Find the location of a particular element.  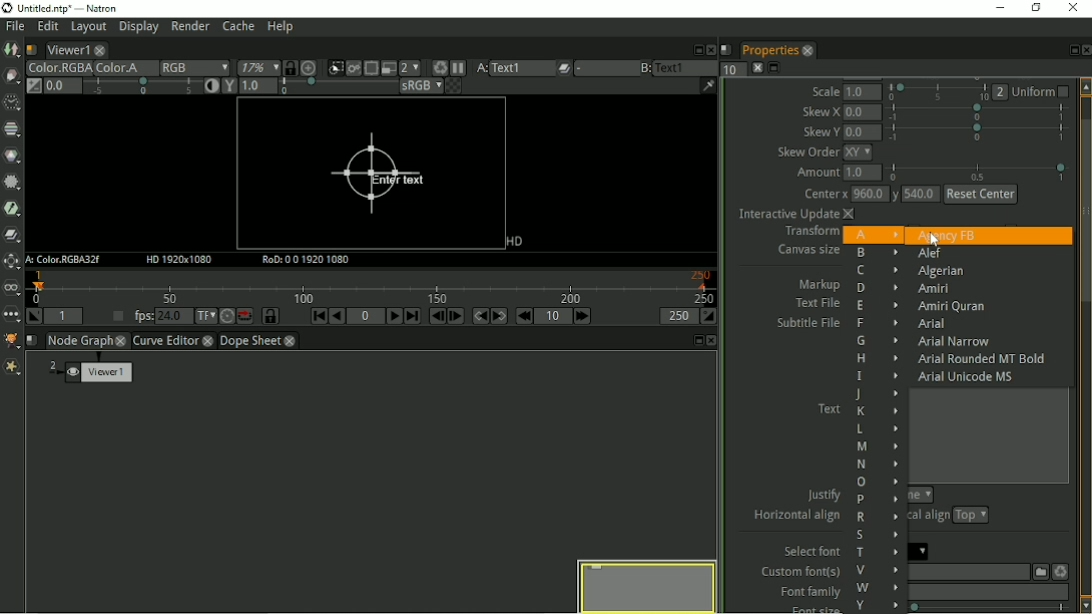

title is located at coordinates (72, 8).